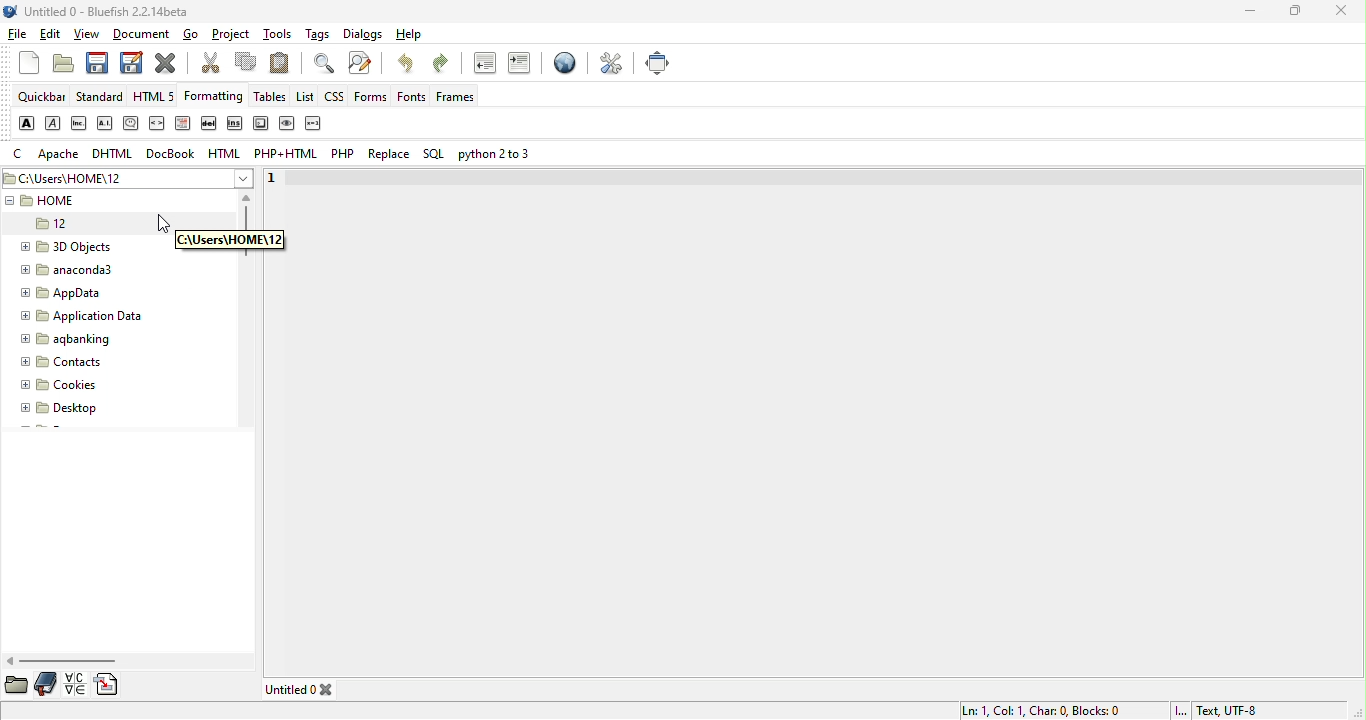  I want to click on variable, so click(313, 123).